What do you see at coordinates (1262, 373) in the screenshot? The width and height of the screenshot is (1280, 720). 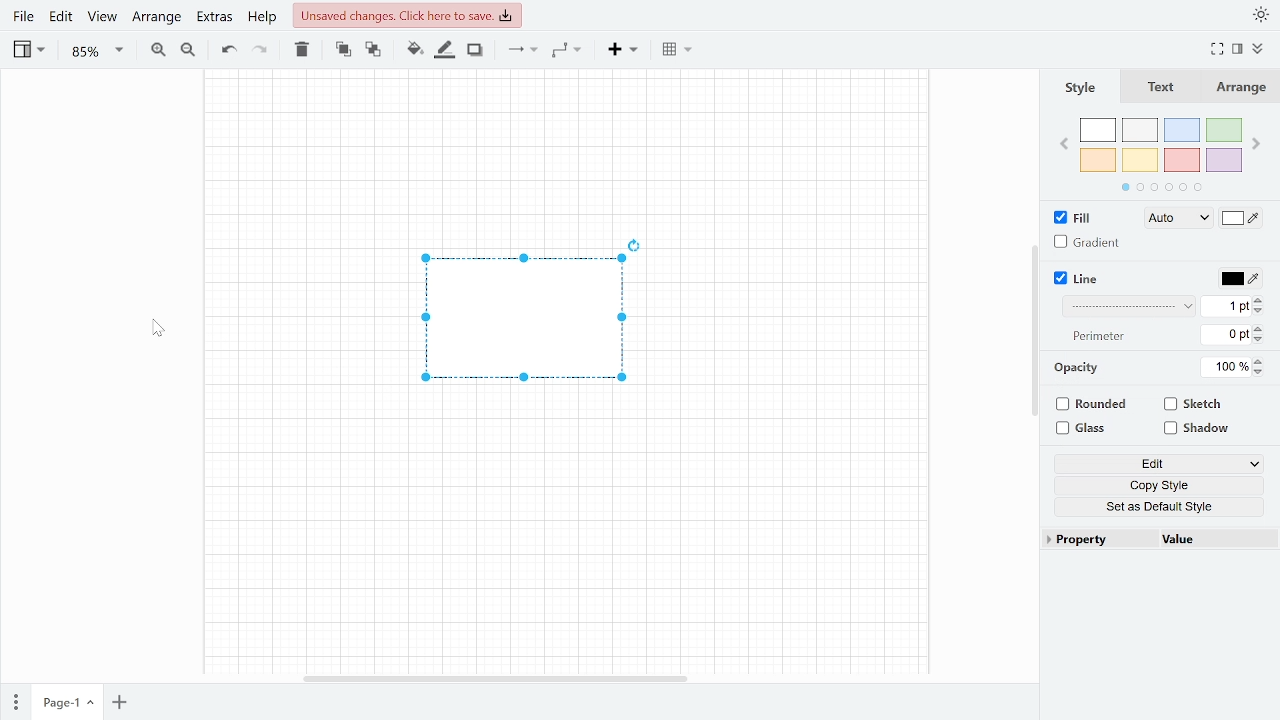 I see `Decrease opacity` at bounding box center [1262, 373].